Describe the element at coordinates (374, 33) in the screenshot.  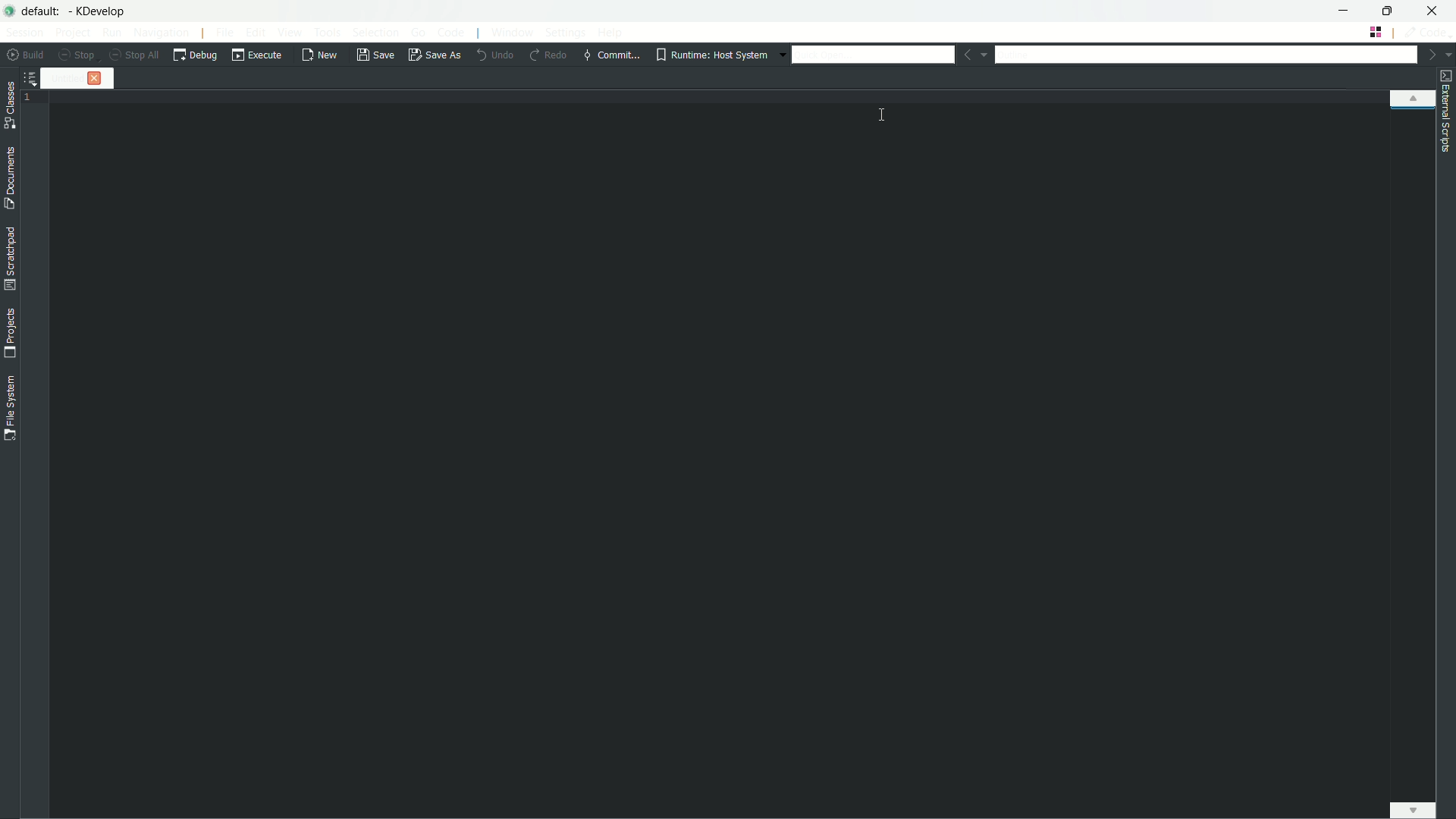
I see `selection` at that location.